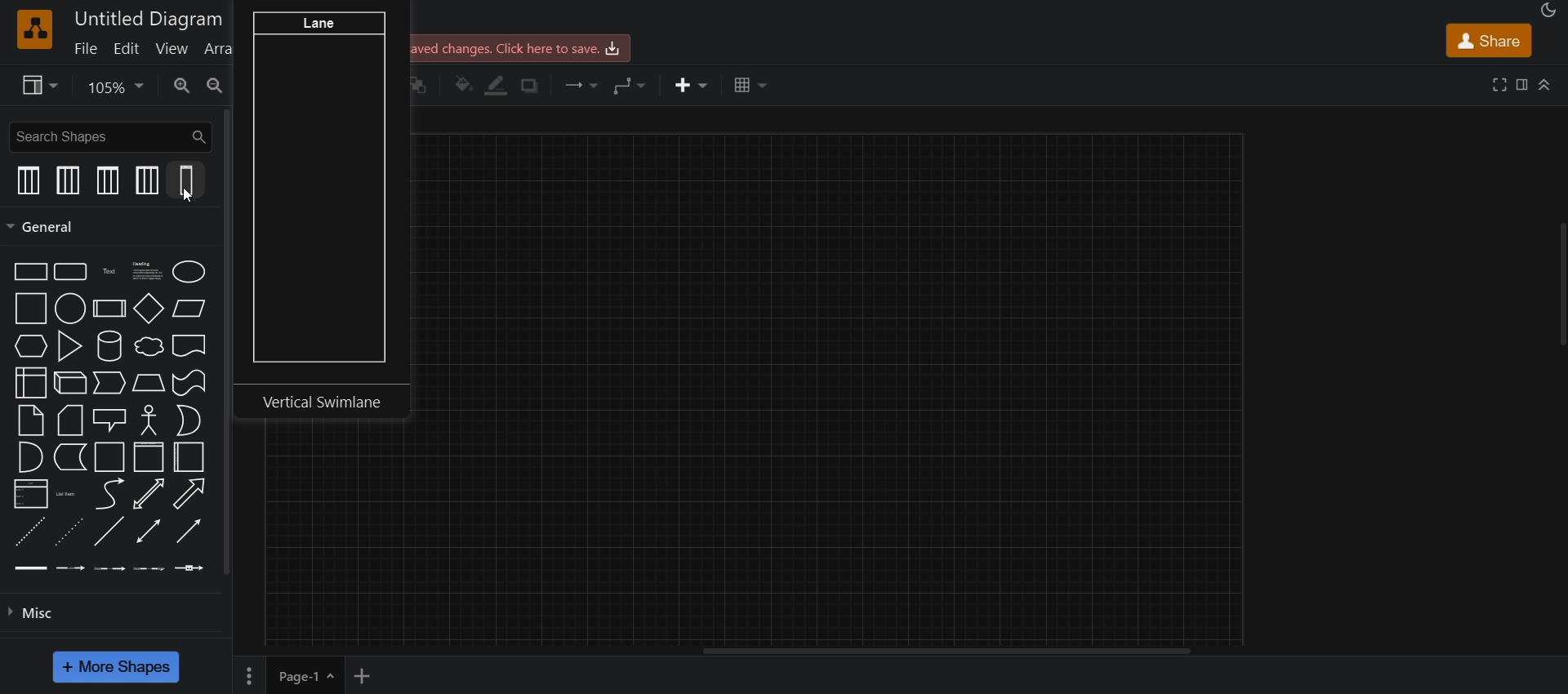 Image resolution: width=1568 pixels, height=694 pixels. Describe the element at coordinates (1488, 39) in the screenshot. I see `share` at that location.